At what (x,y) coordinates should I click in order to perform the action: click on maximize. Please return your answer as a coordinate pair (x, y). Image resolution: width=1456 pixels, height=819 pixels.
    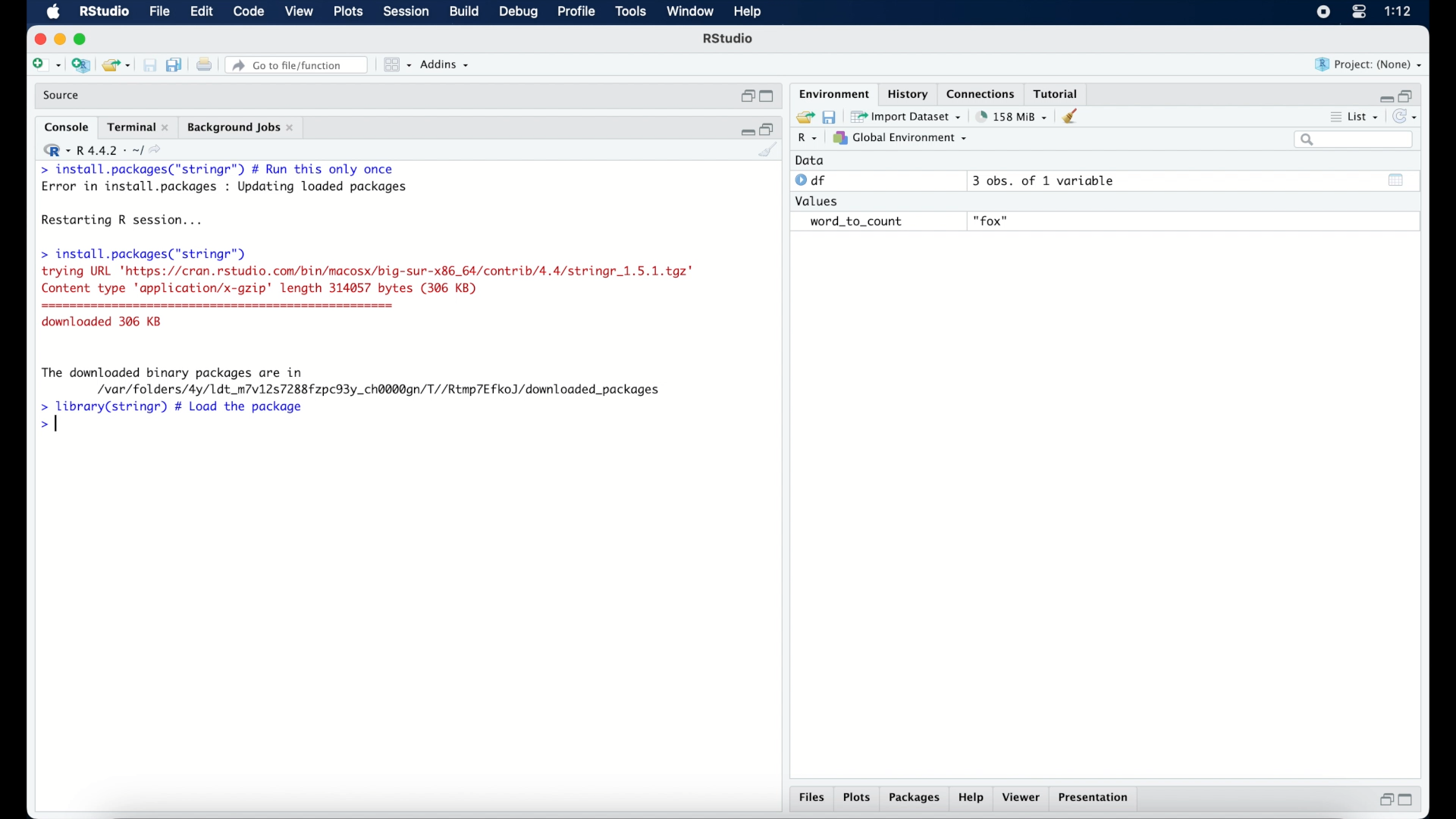
    Looking at the image, I should click on (1409, 800).